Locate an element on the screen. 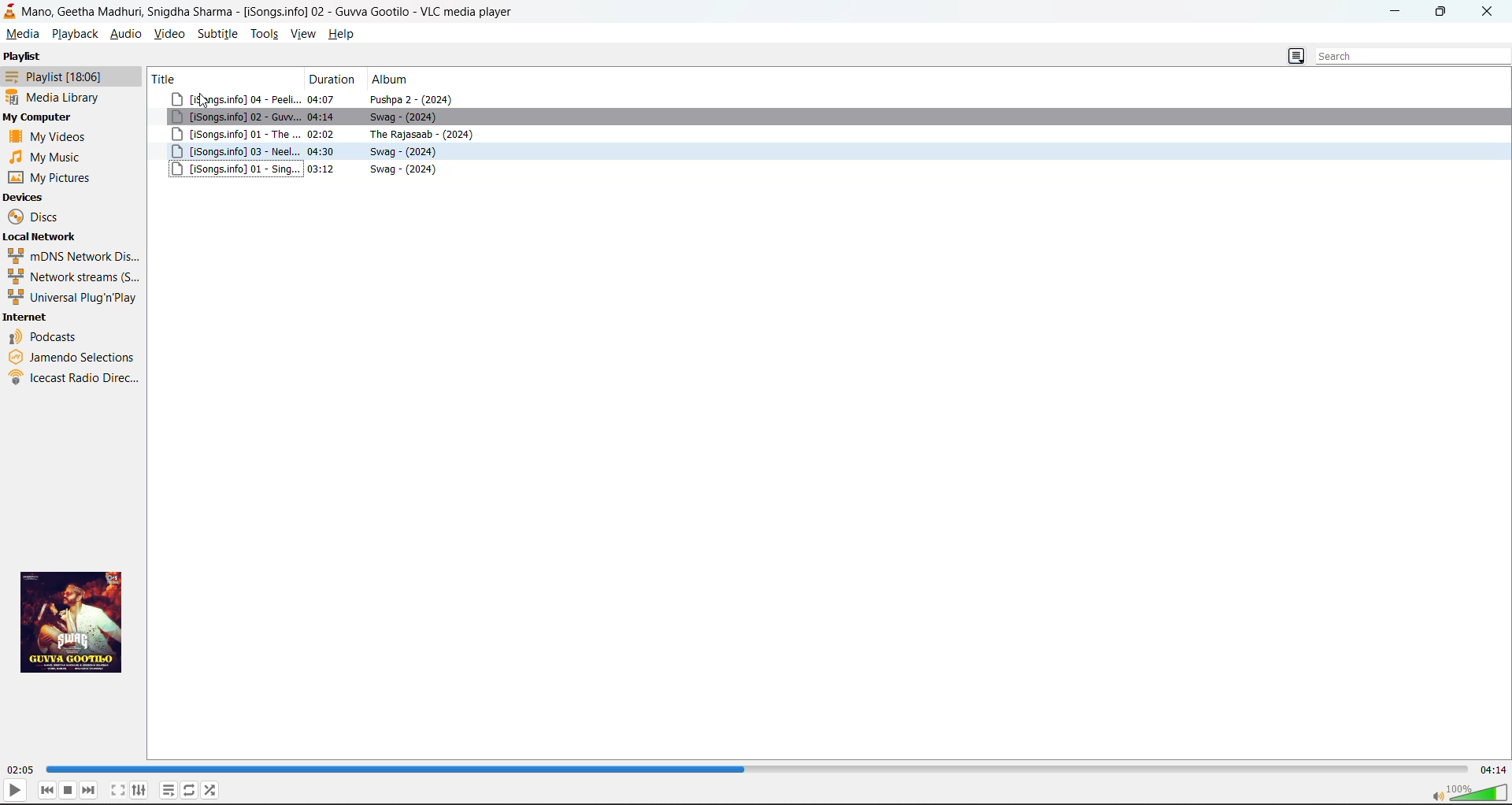 The height and width of the screenshot is (805, 1512). tools is located at coordinates (265, 33).